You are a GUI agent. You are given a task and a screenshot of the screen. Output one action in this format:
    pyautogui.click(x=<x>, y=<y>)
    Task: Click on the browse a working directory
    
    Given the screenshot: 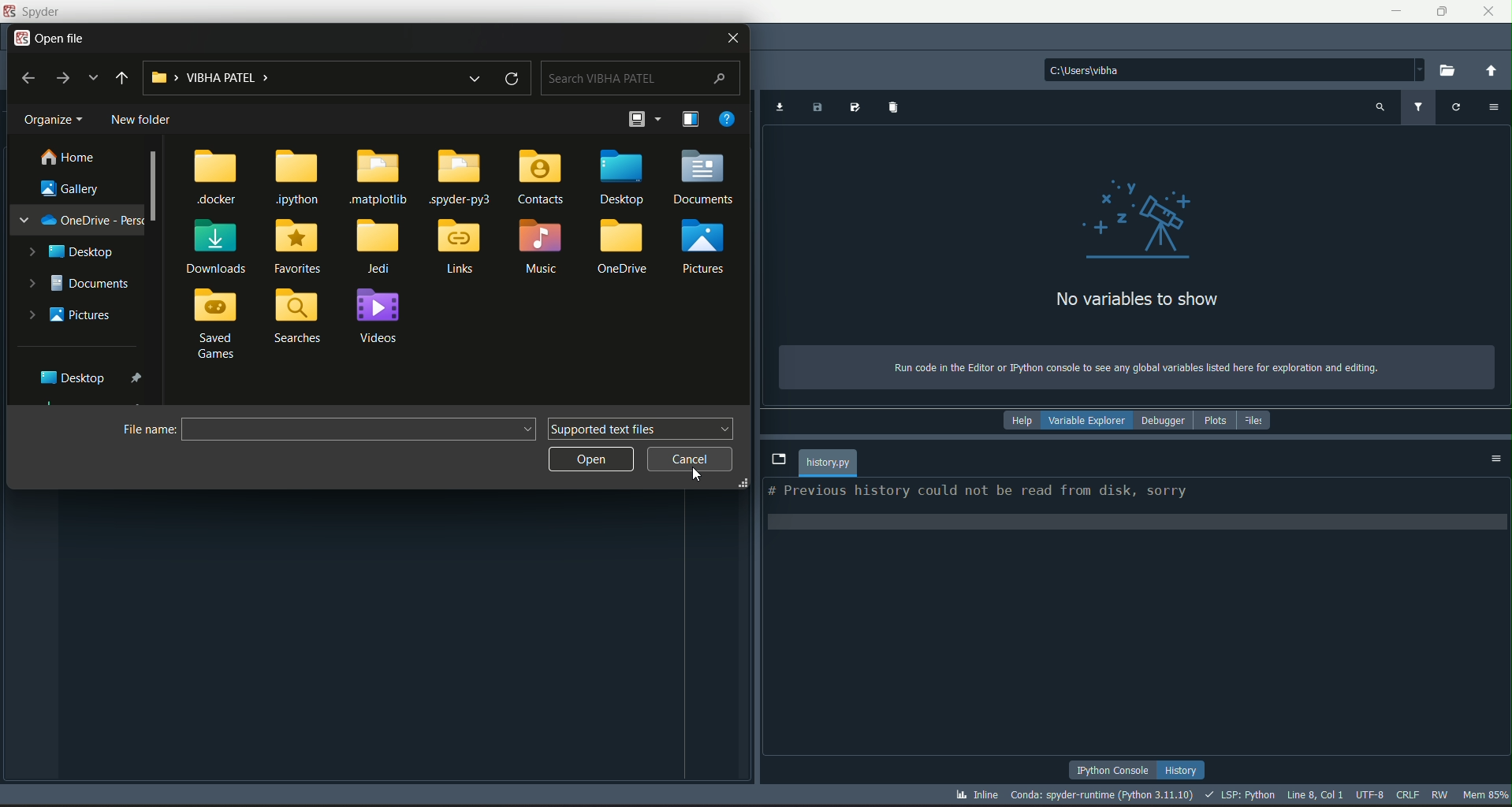 What is the action you would take?
    pyautogui.click(x=1449, y=71)
    